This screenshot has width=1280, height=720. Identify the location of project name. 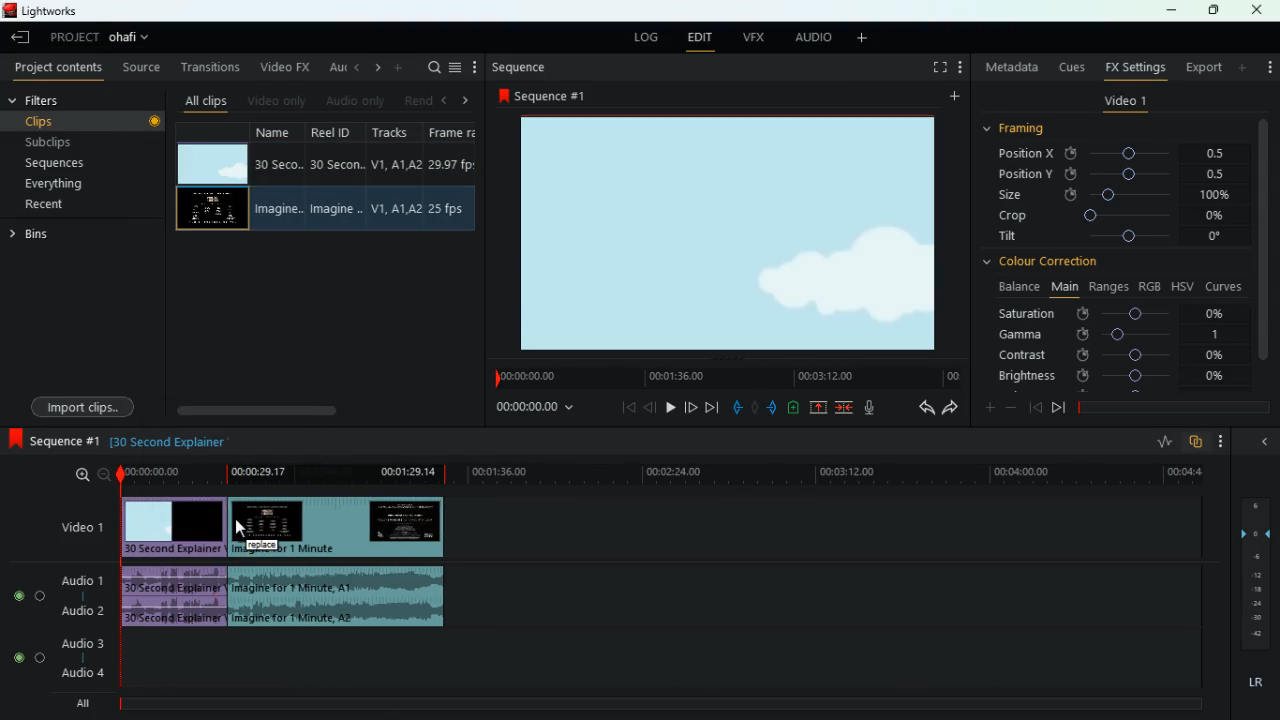
(133, 39).